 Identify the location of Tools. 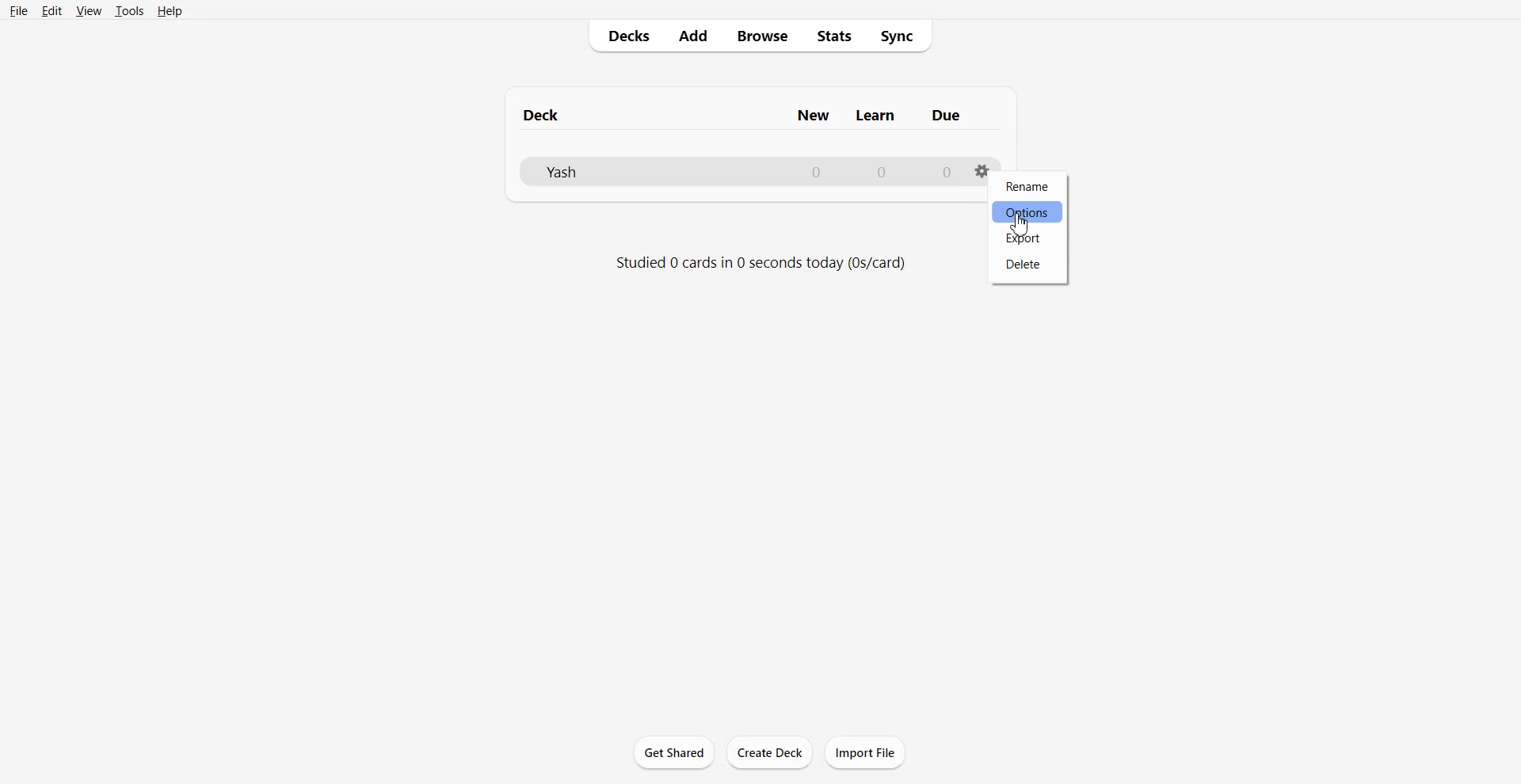
(128, 12).